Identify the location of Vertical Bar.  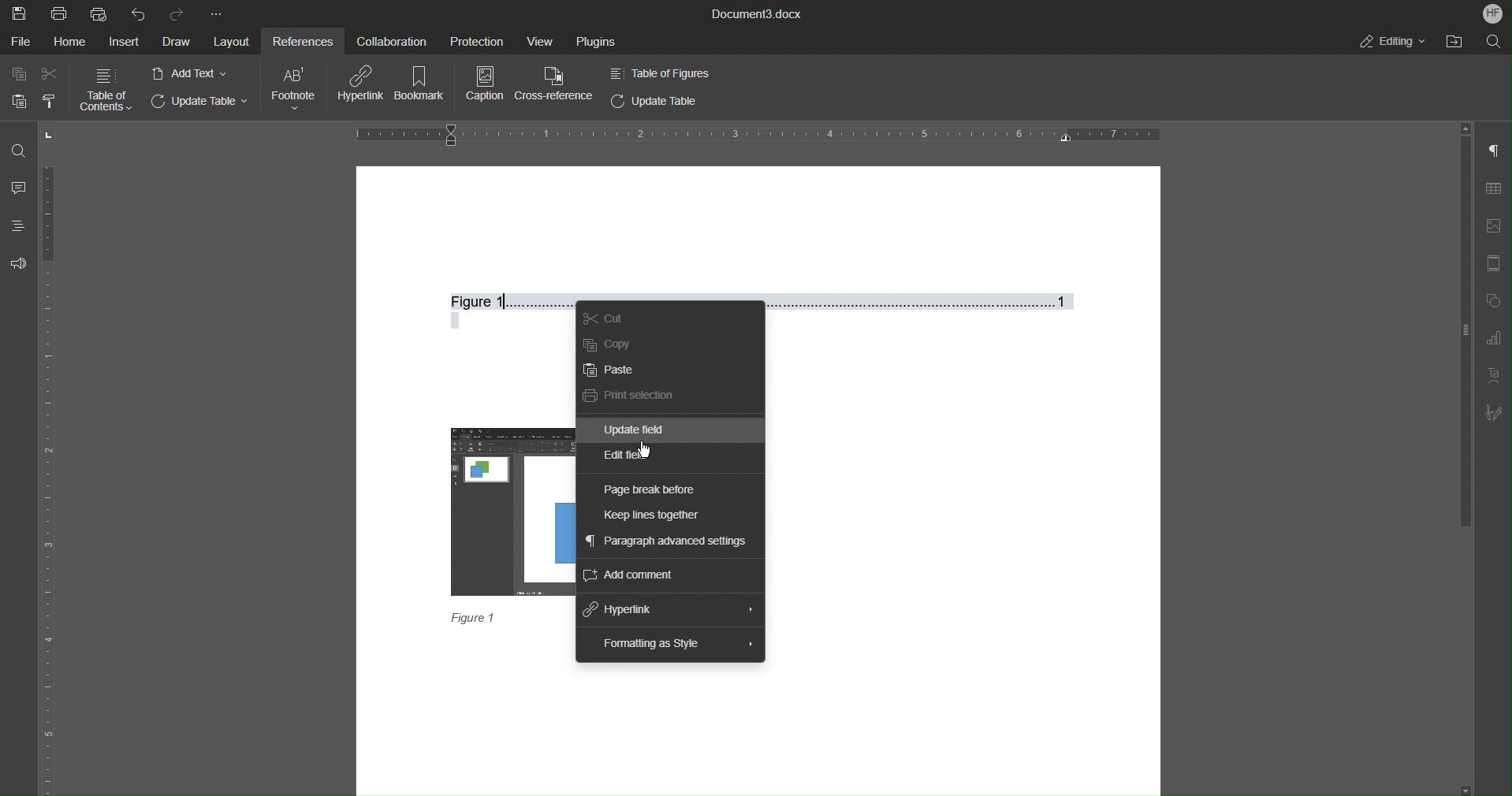
(1463, 318).